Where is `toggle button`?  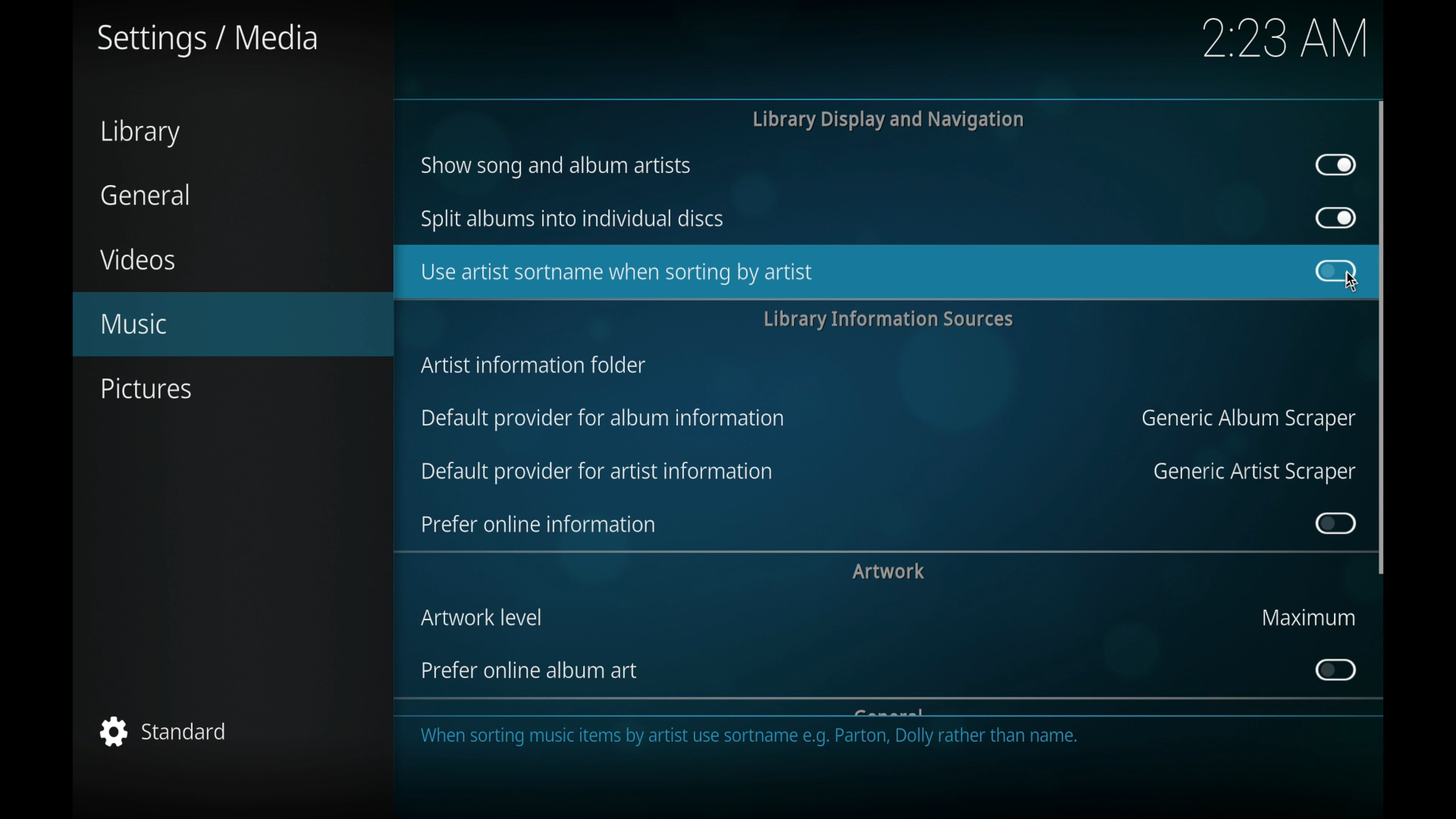 toggle button is located at coordinates (1334, 272).